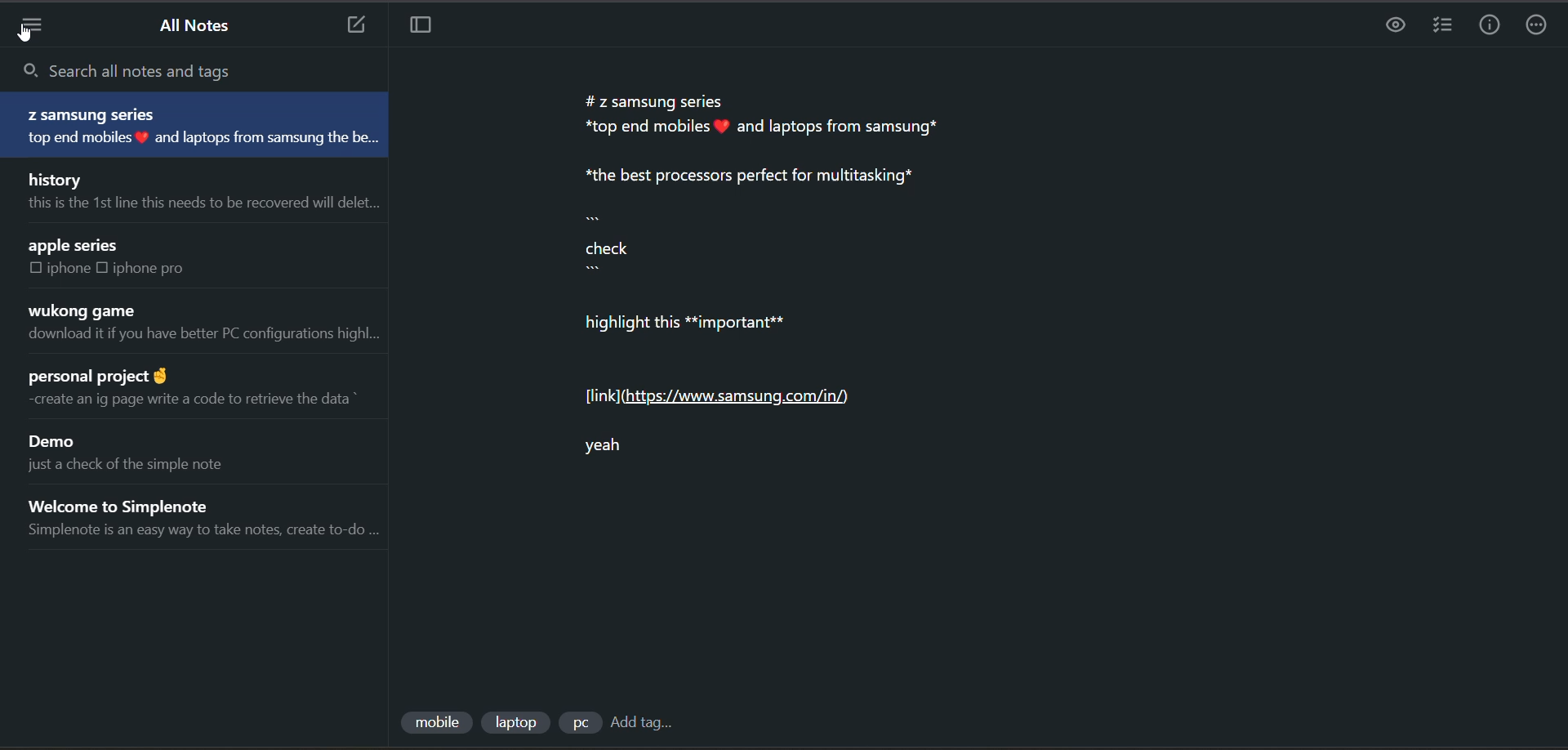 The image size is (1568, 750). Describe the element at coordinates (107, 255) in the screenshot. I see `note title and preview` at that location.